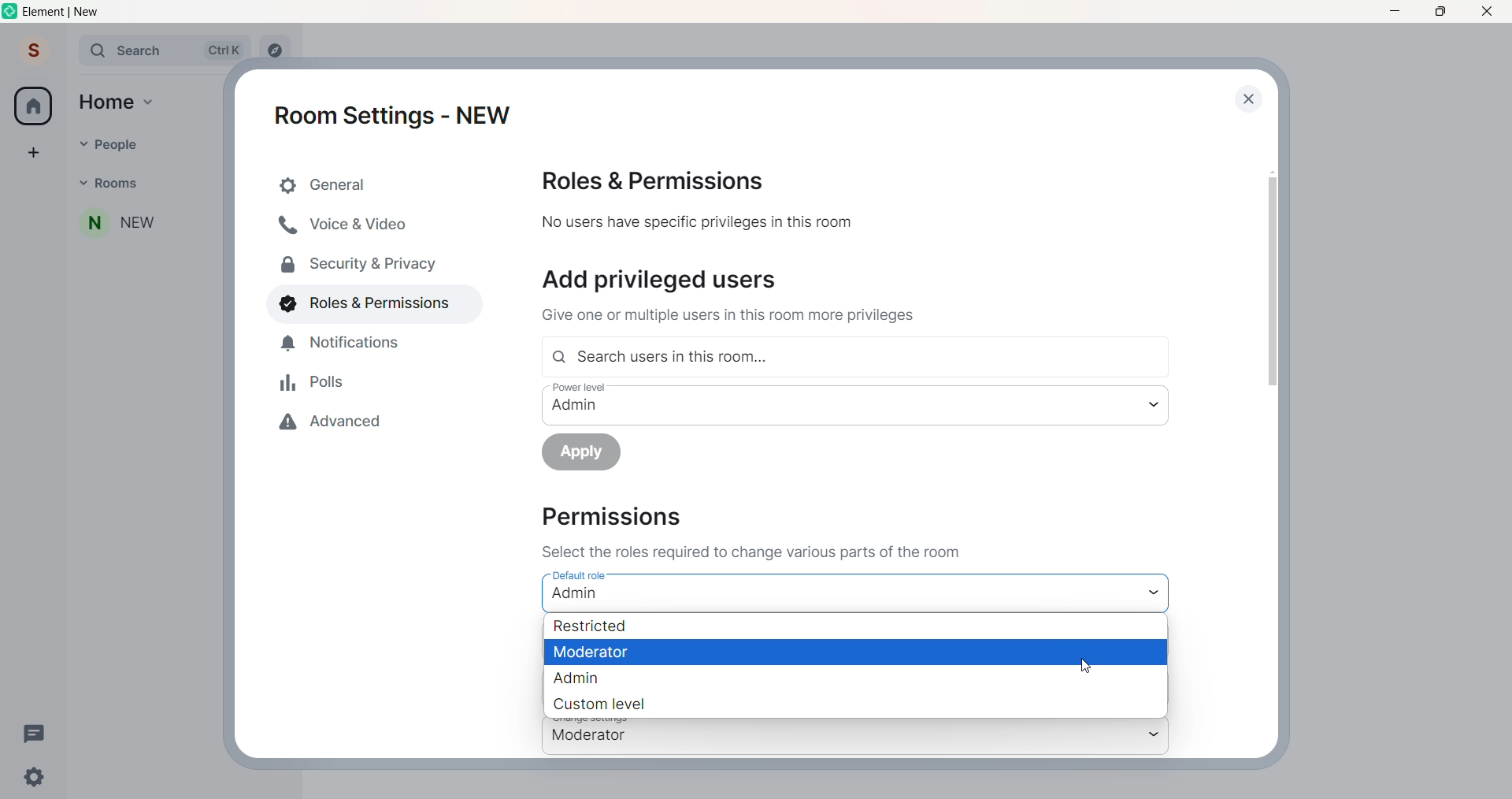  Describe the element at coordinates (610, 519) in the screenshot. I see `permission` at that location.